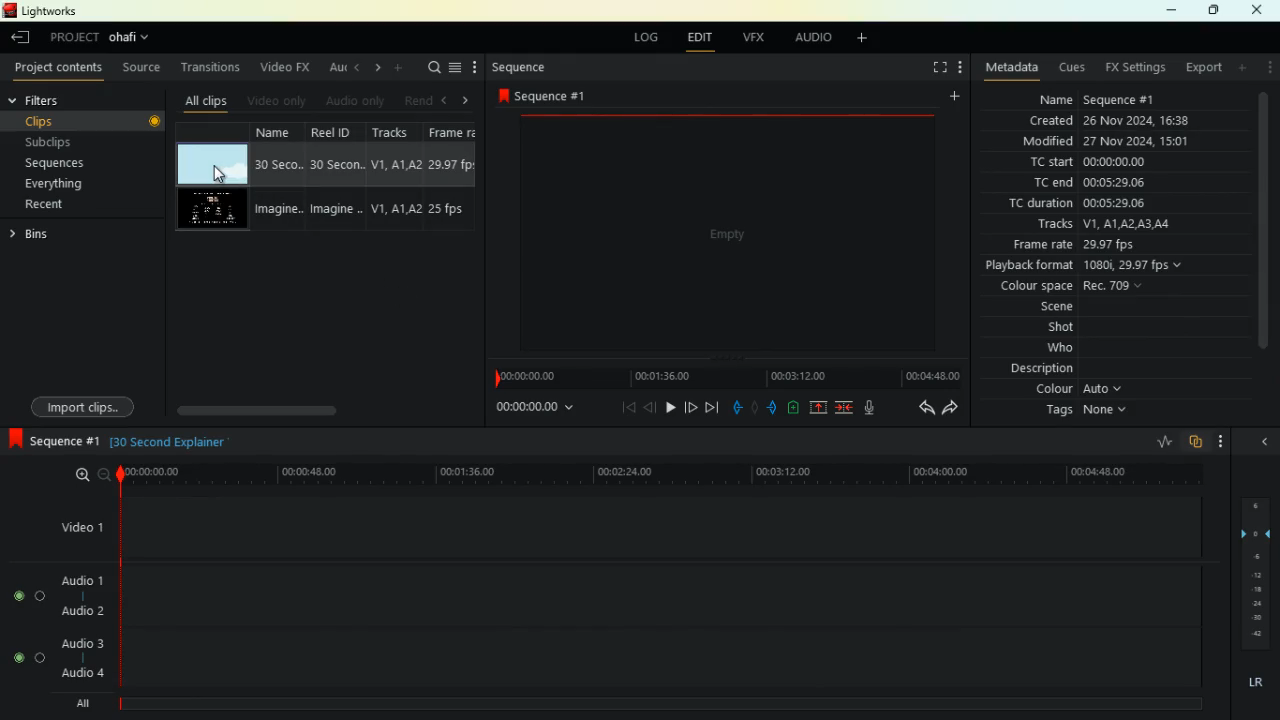 This screenshot has width=1280, height=720. What do you see at coordinates (21, 39) in the screenshot?
I see `leave` at bounding box center [21, 39].